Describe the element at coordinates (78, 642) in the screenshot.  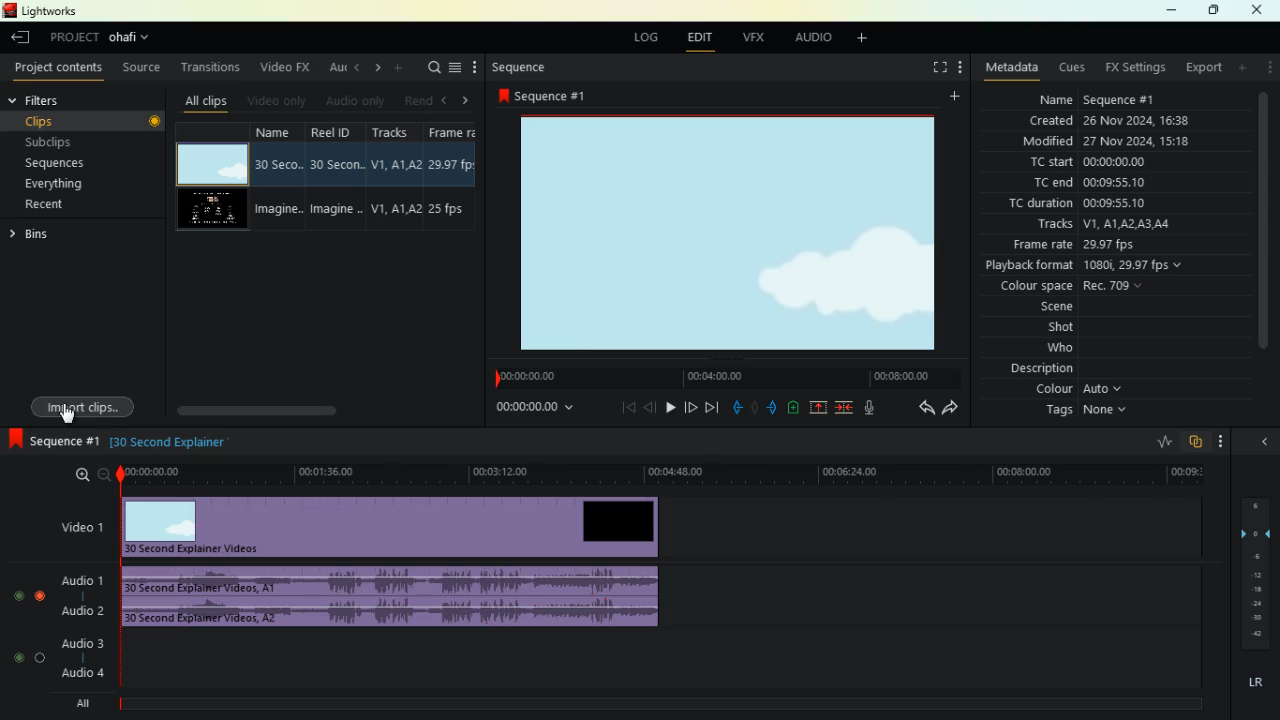
I see `audio3` at that location.